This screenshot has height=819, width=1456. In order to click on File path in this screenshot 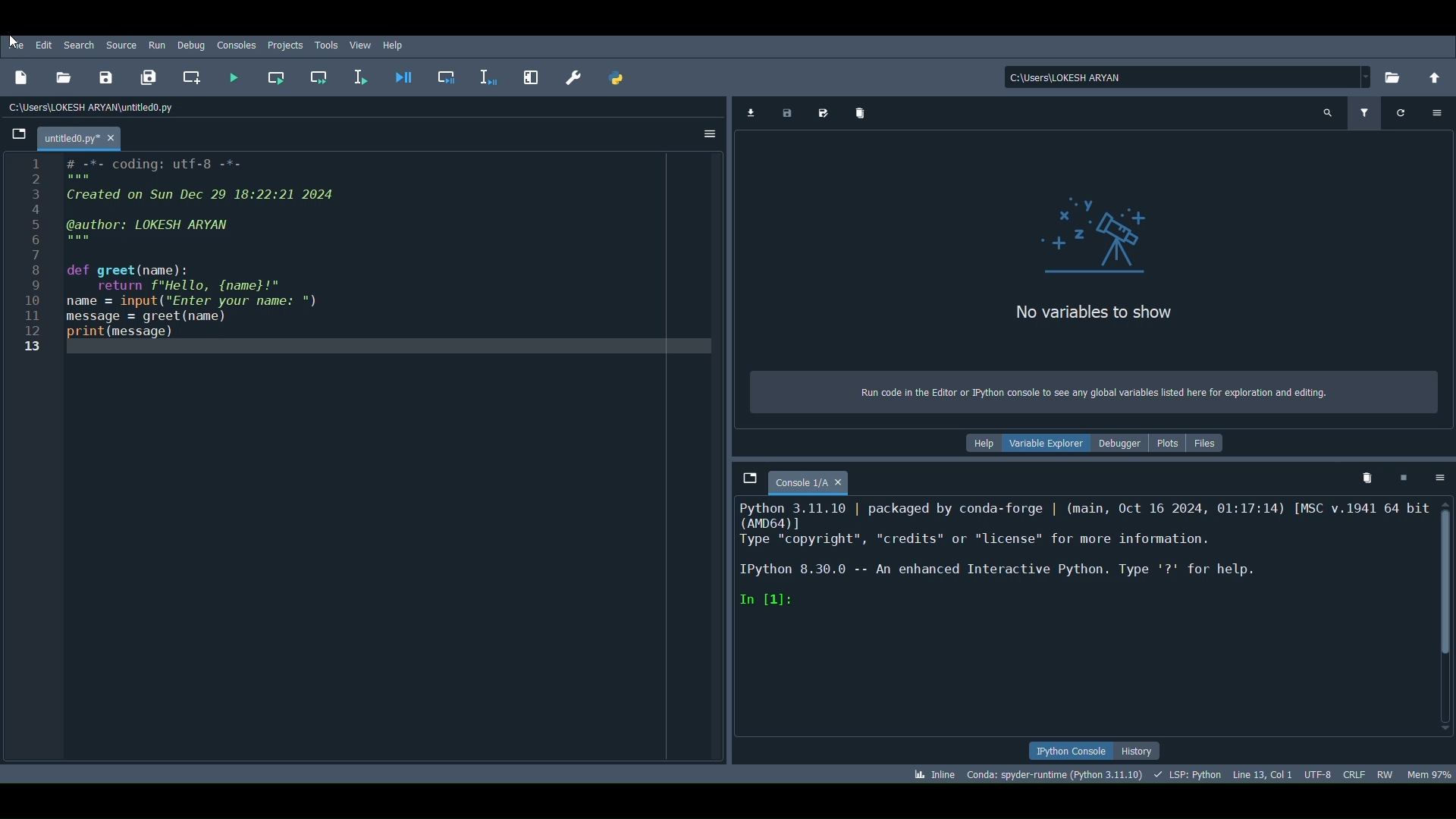, I will do `click(96, 105)`.